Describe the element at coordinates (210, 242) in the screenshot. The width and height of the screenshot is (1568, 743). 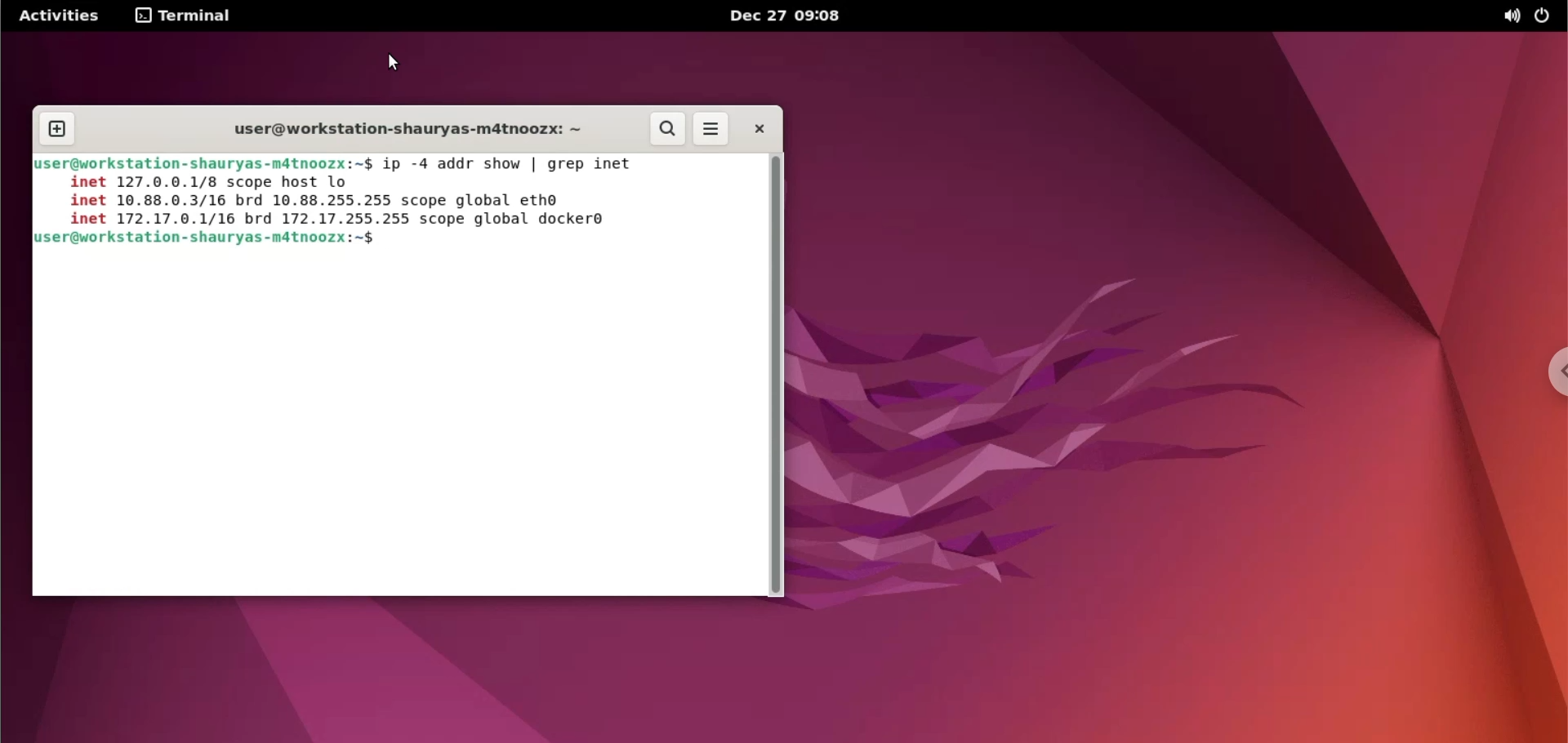
I see `user@workstation-shauryas-m4tnoozx:~$` at that location.